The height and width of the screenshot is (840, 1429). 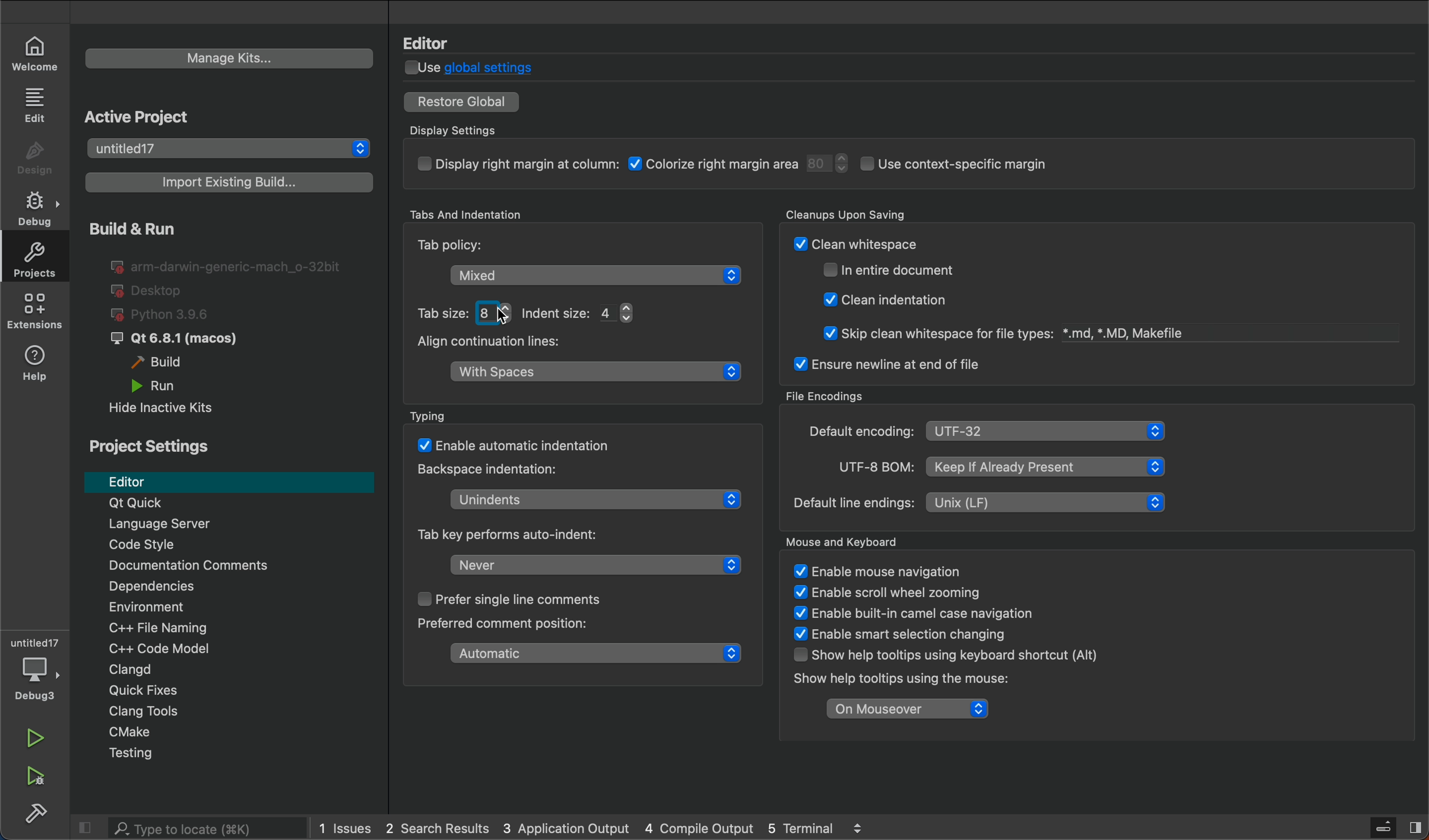 I want to click on 5 terminal, so click(x=838, y=828).